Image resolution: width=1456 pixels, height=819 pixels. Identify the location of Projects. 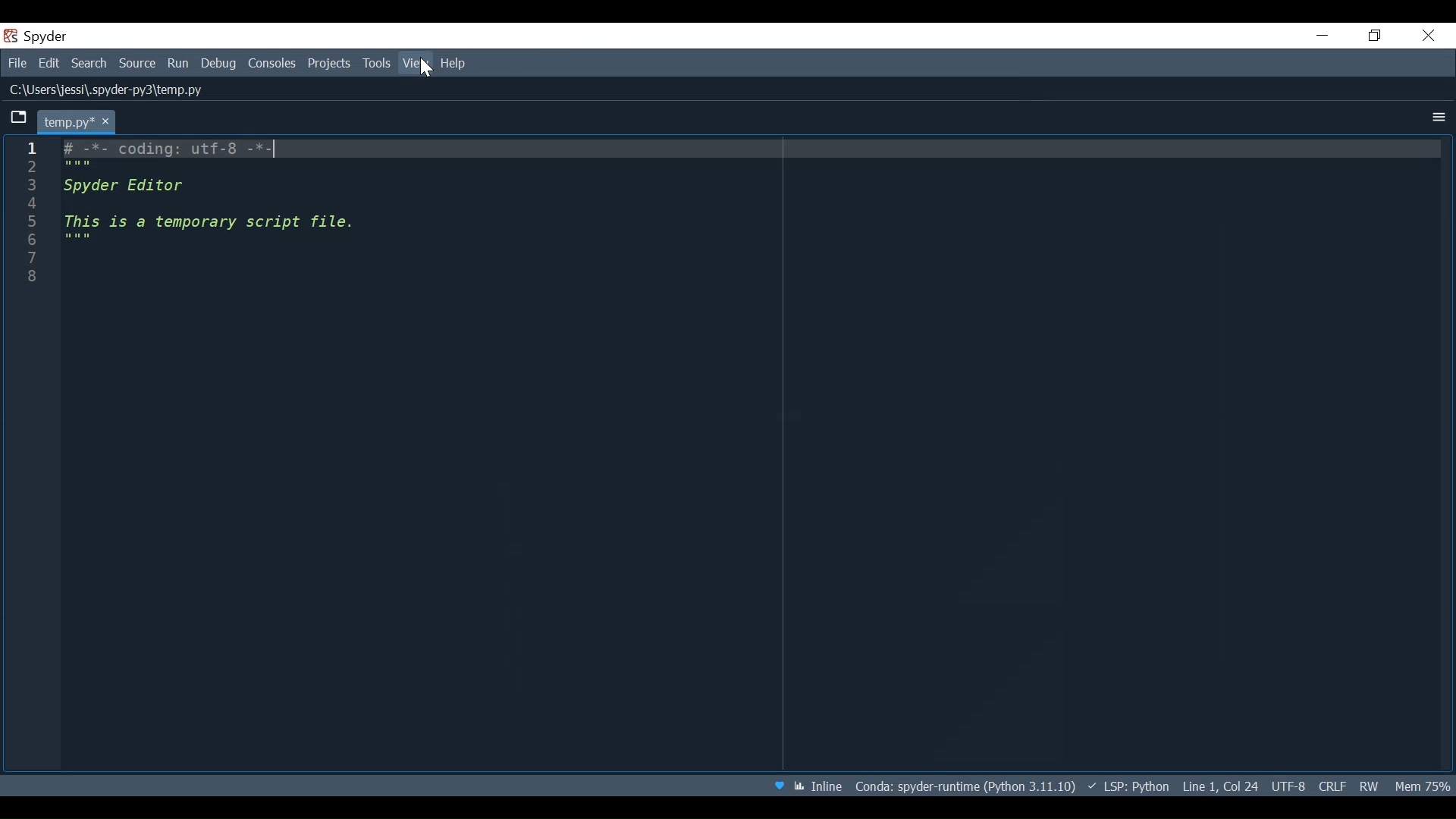
(329, 65).